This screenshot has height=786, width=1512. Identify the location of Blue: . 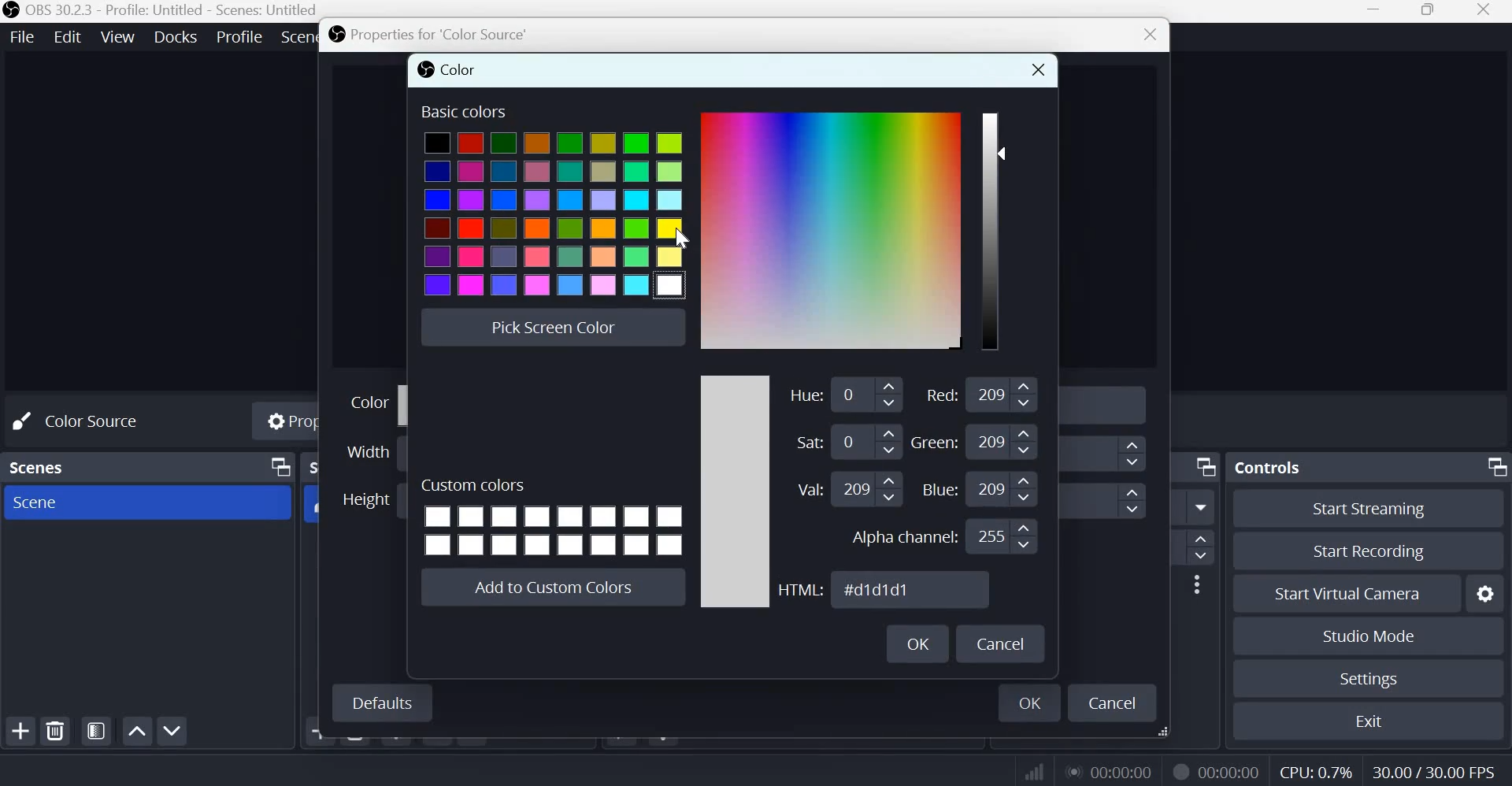
(936, 488).